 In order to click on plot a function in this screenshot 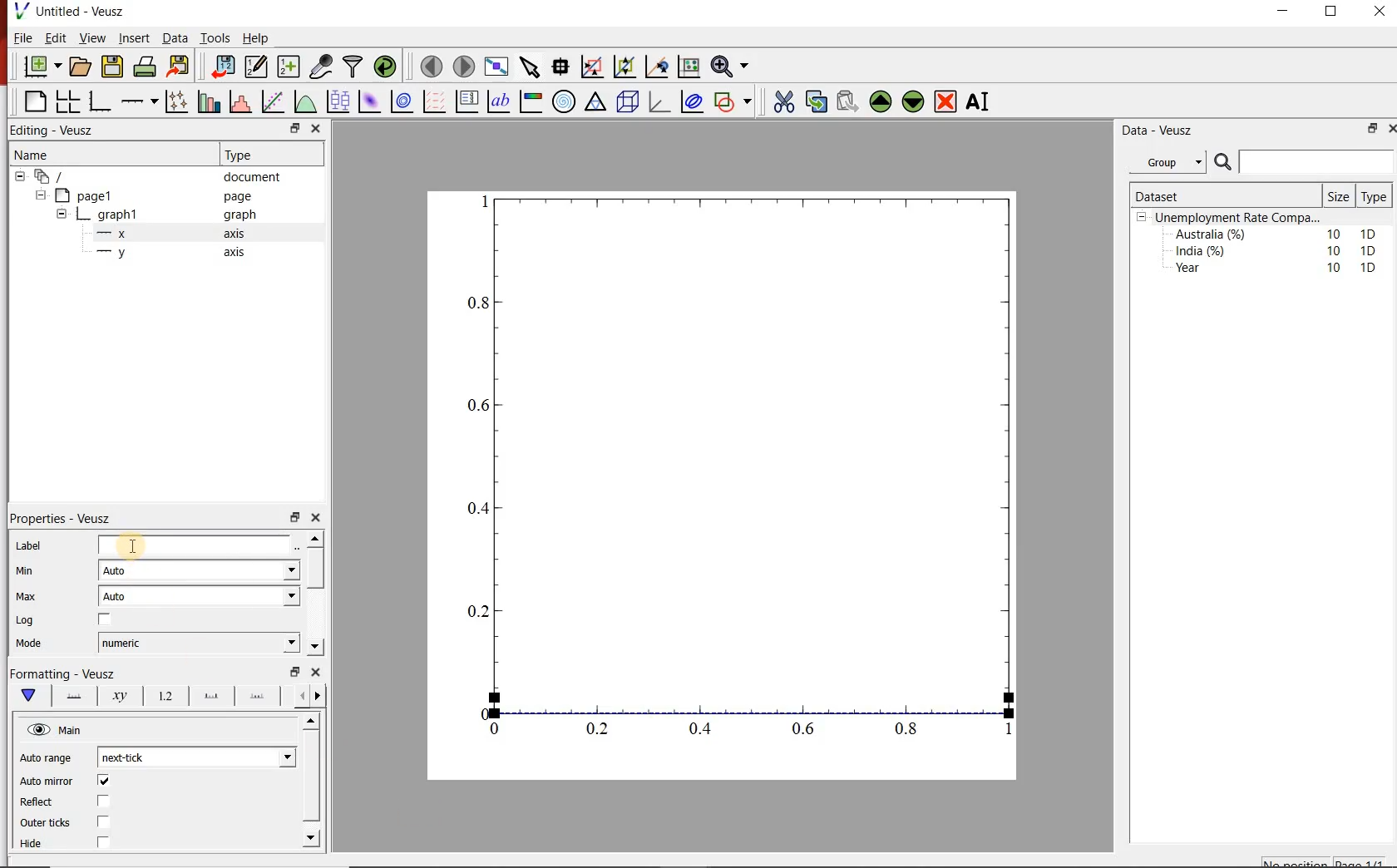, I will do `click(305, 101)`.